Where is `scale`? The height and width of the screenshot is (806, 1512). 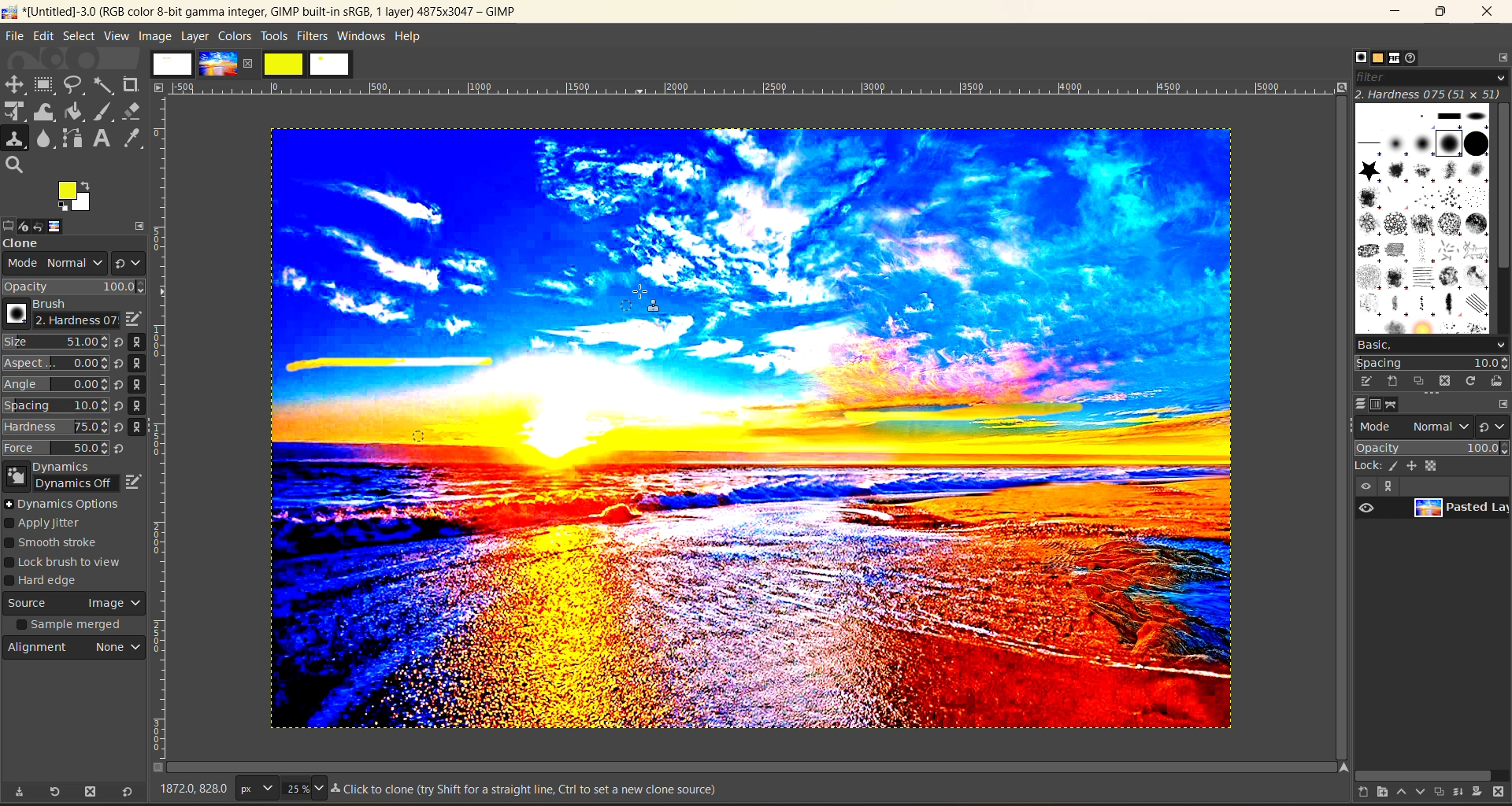
scale is located at coordinates (15, 113).